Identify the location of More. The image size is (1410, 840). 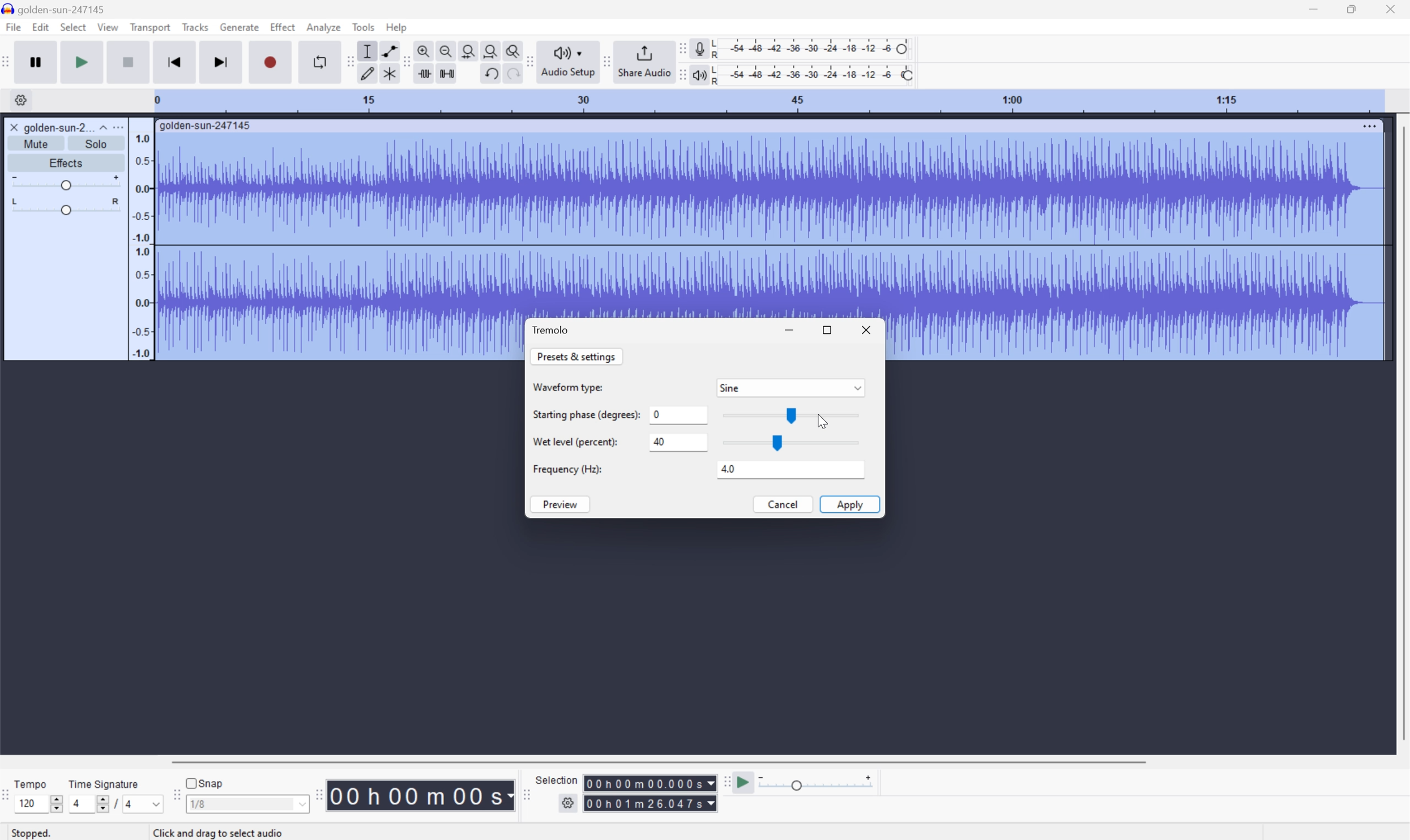
(1368, 125).